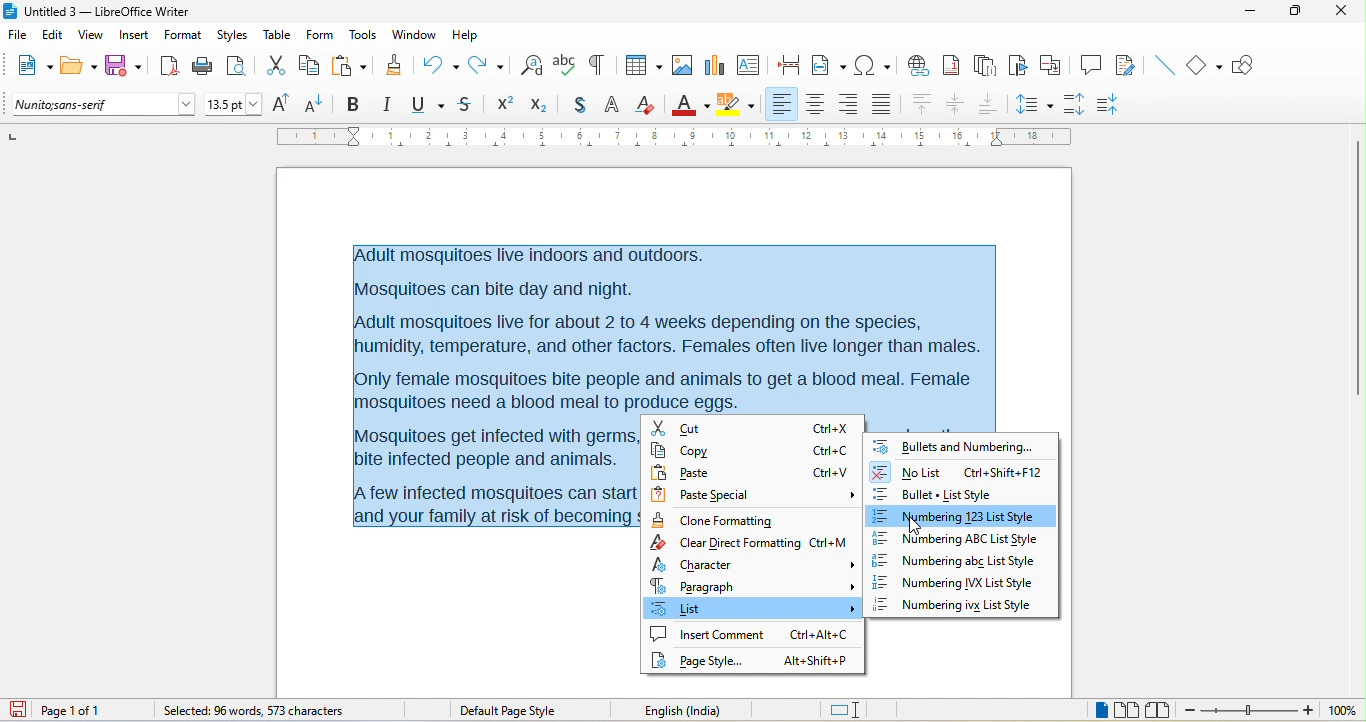  Describe the element at coordinates (642, 63) in the screenshot. I see `table` at that location.